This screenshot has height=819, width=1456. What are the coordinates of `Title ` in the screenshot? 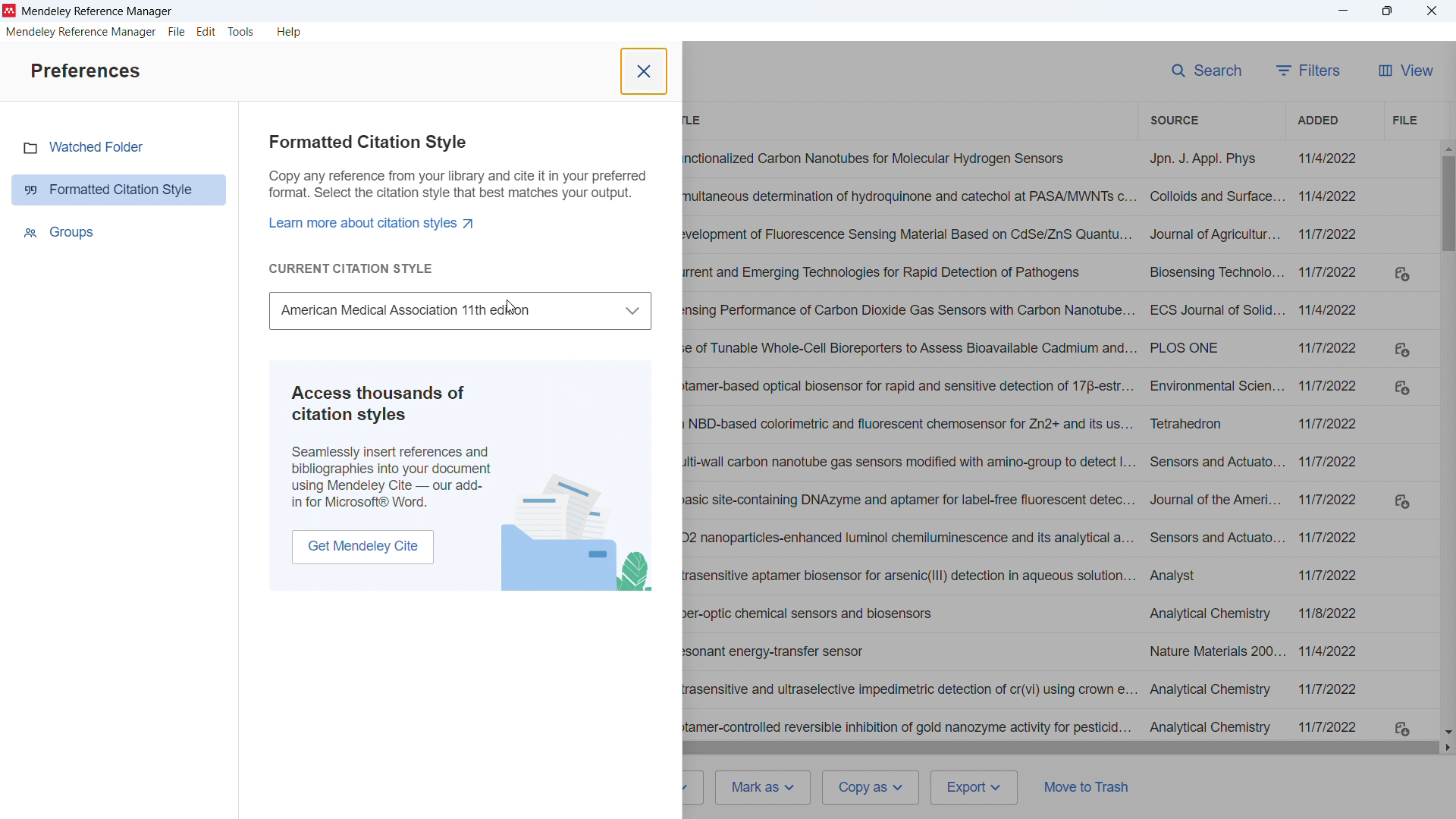 It's located at (99, 11).